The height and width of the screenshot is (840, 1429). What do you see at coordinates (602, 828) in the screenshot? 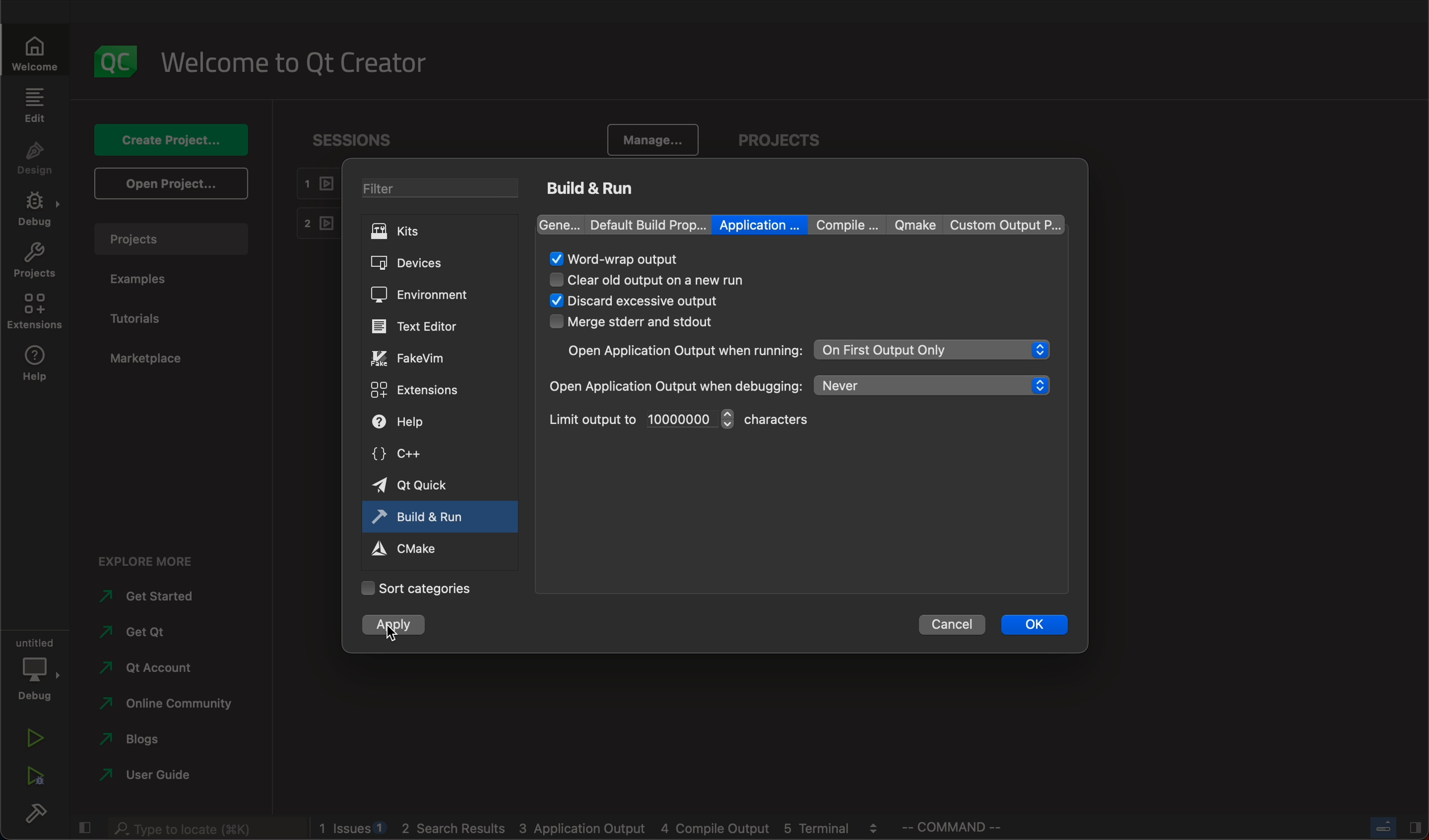
I see `blogs` at bounding box center [602, 828].